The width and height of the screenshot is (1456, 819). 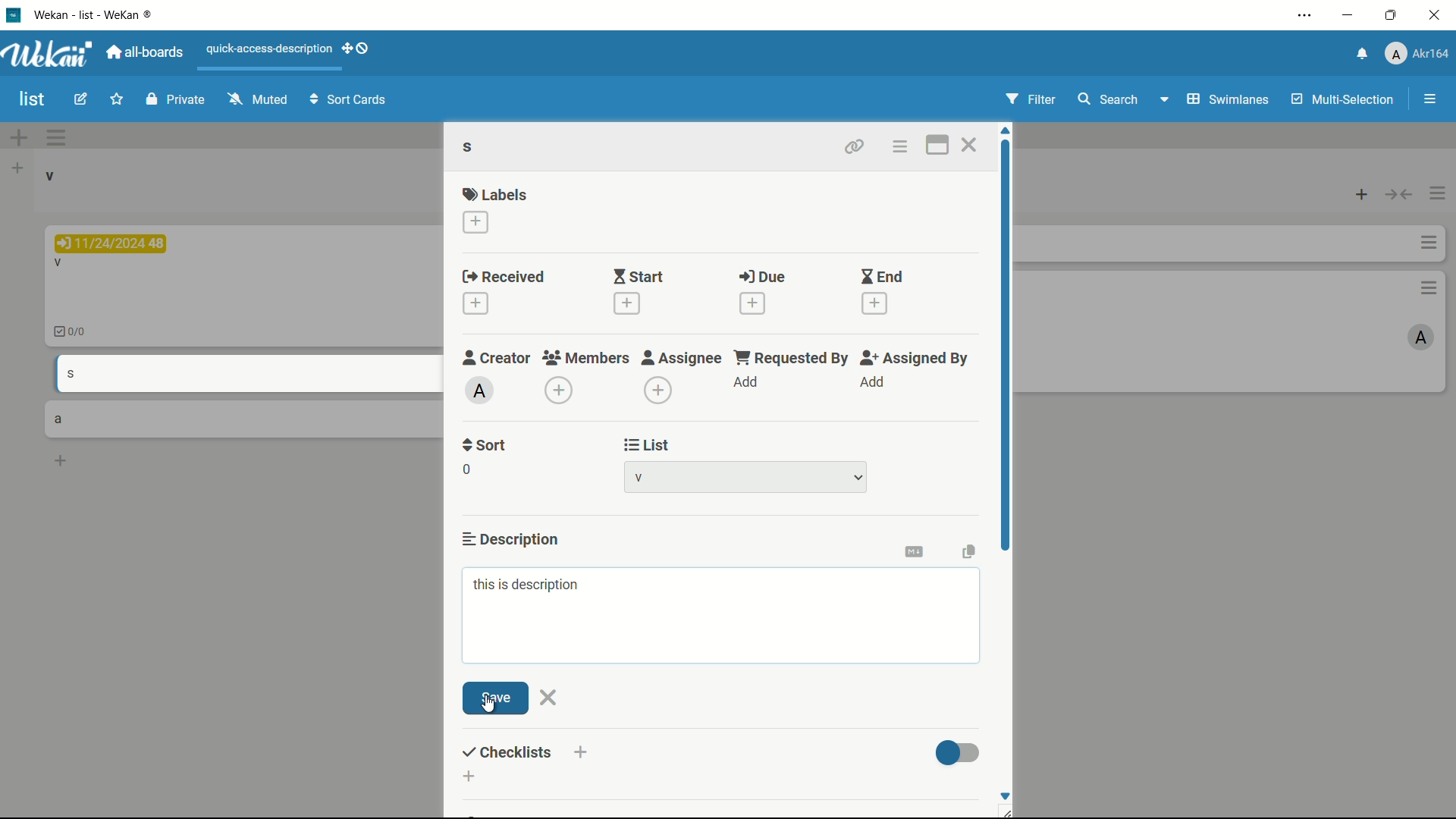 I want to click on end, so click(x=882, y=276).